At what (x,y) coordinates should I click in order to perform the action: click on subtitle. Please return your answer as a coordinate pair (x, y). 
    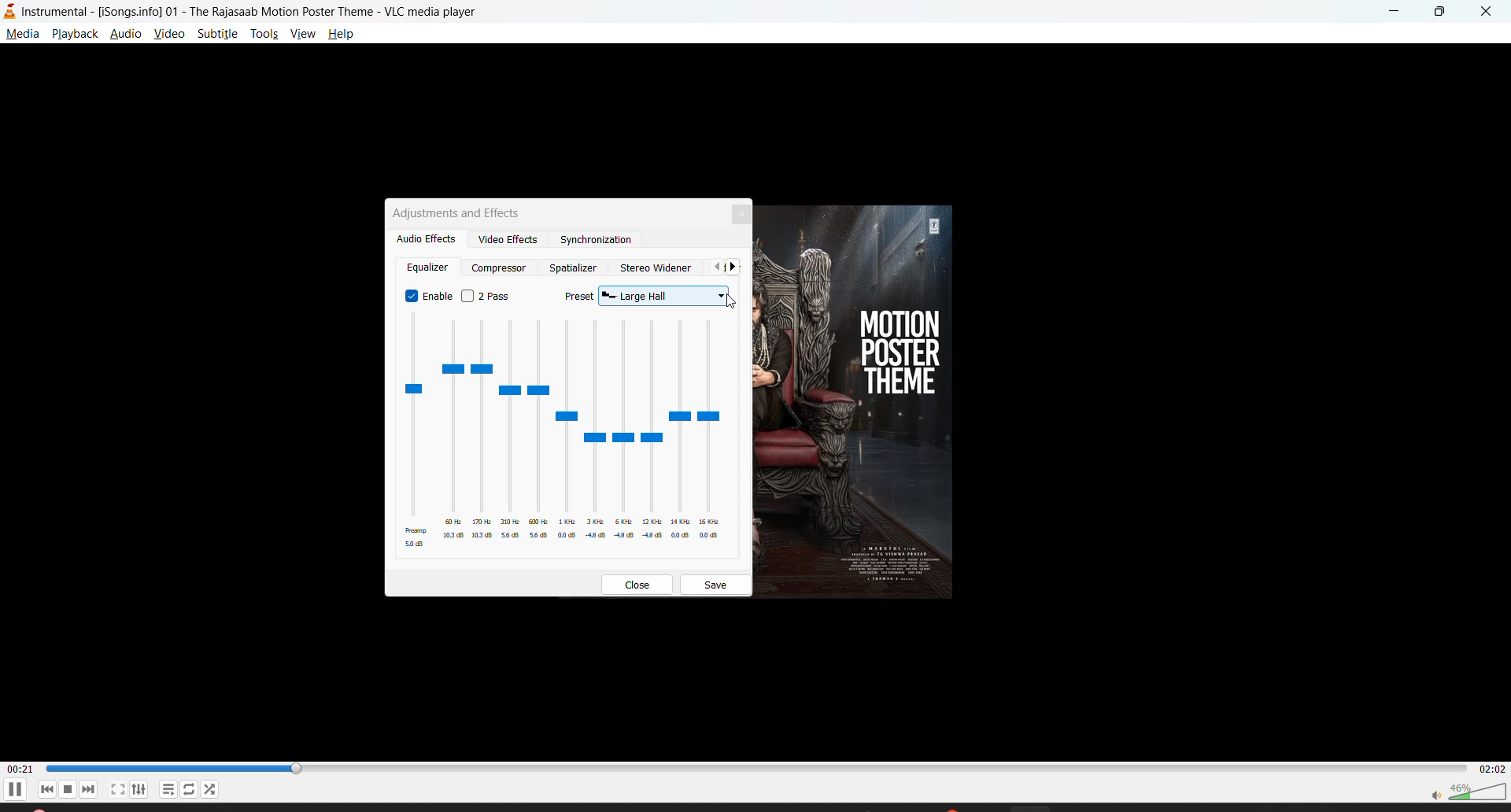
    Looking at the image, I should click on (220, 37).